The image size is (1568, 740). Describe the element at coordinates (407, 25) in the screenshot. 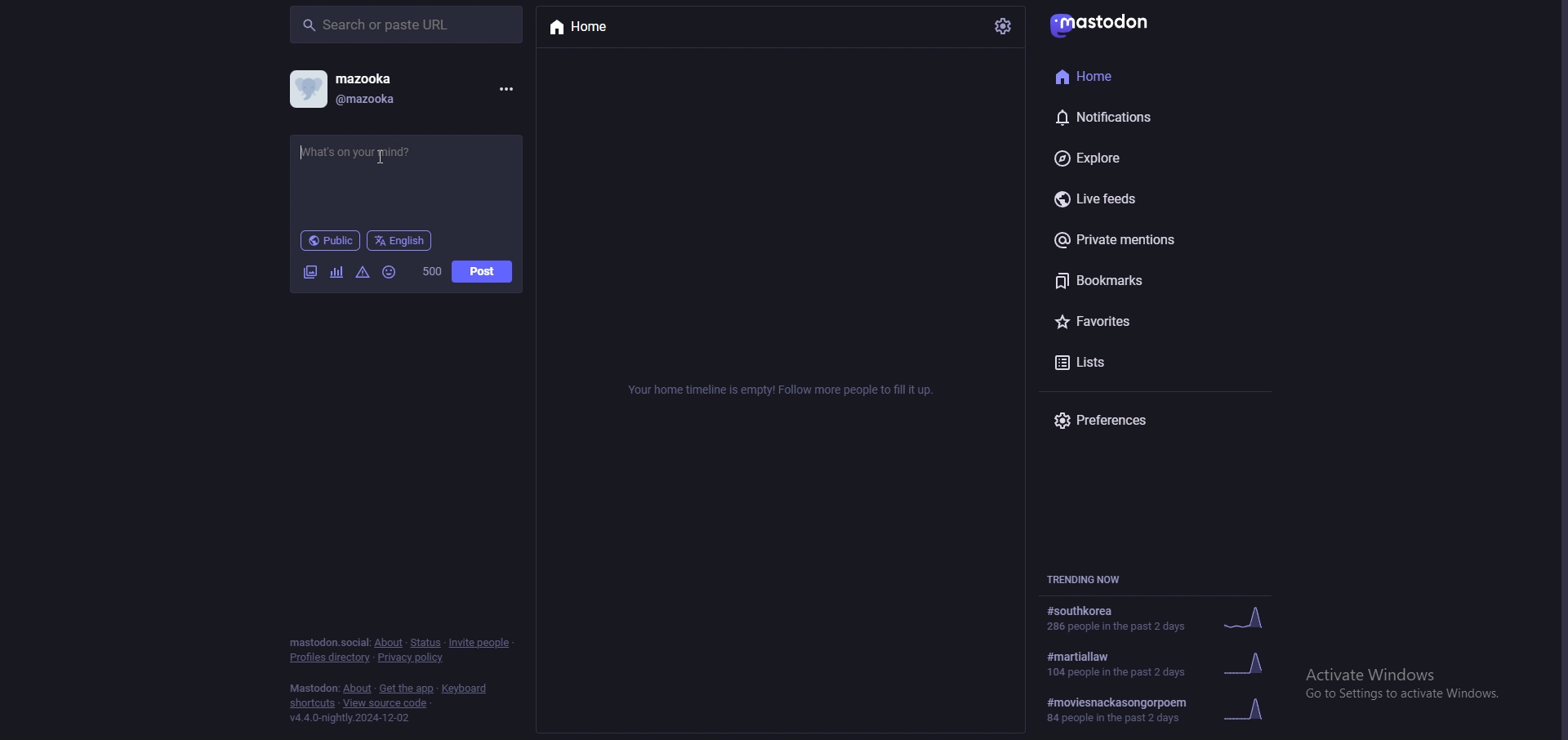

I see `search bar` at that location.